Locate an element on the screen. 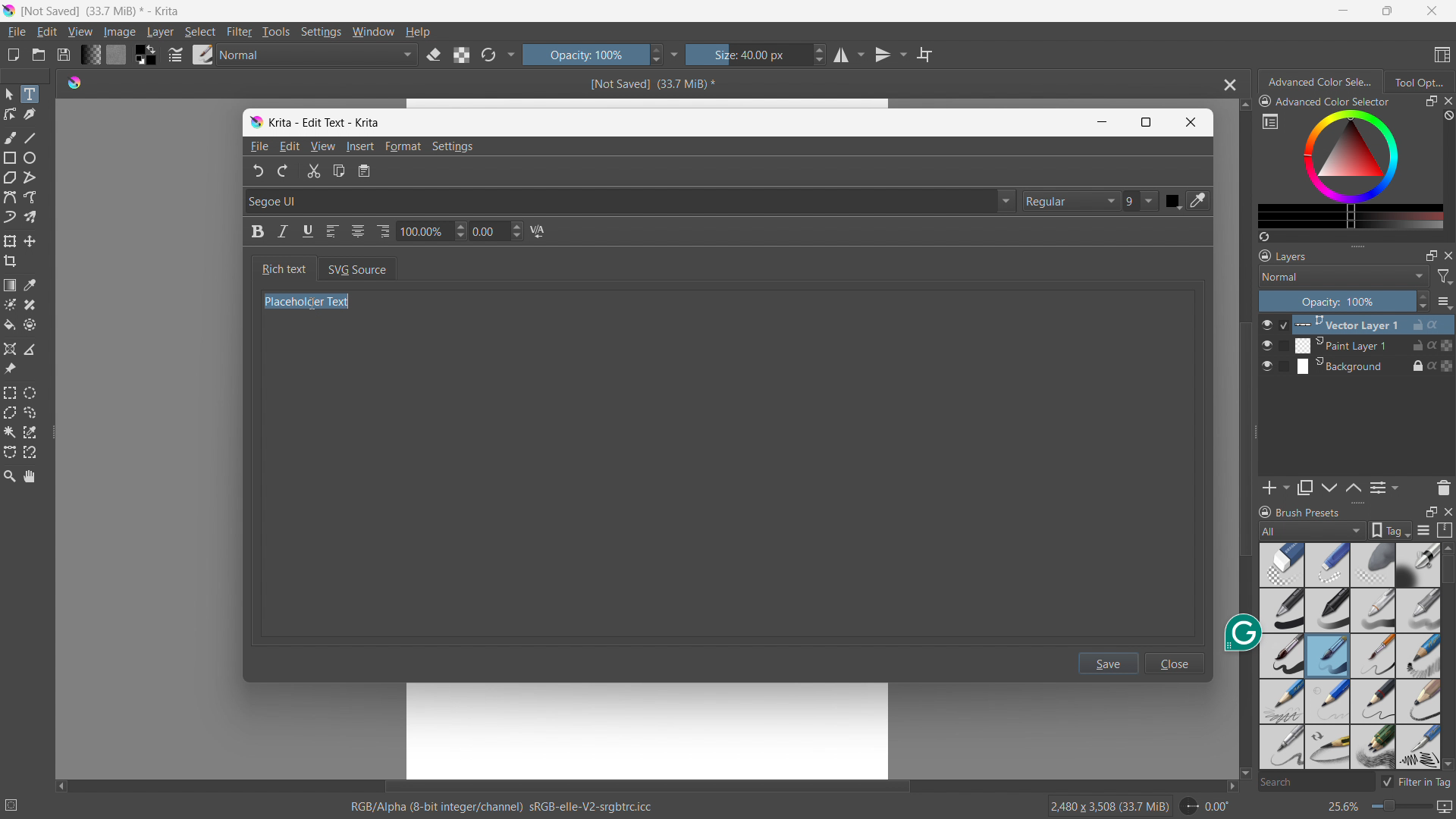 This screenshot has width=1456, height=819. Placeholder Text is located at coordinates (313, 306).